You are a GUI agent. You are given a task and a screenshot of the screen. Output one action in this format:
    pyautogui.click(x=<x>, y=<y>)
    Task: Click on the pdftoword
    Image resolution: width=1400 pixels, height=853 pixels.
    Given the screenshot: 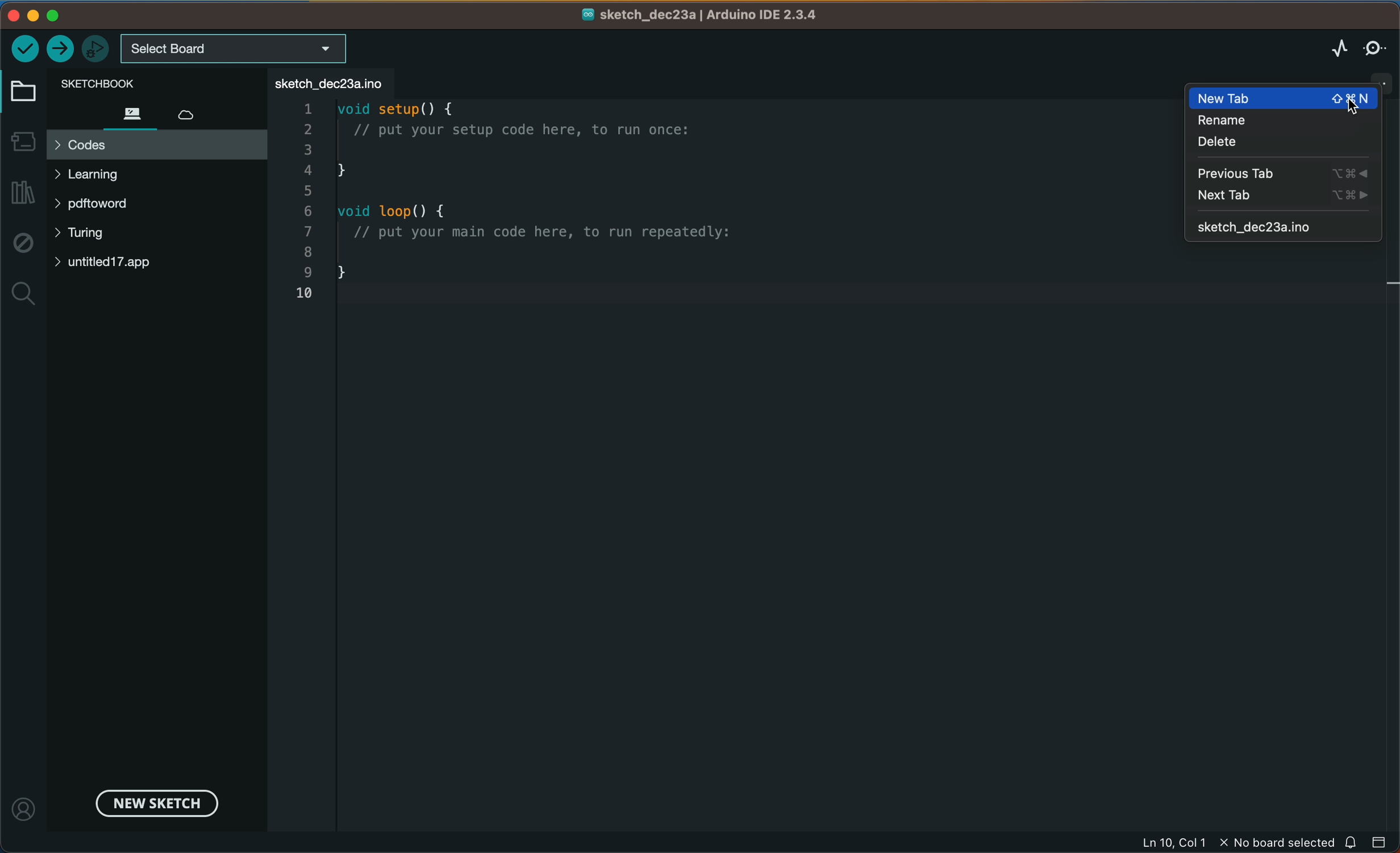 What is the action you would take?
    pyautogui.click(x=111, y=206)
    